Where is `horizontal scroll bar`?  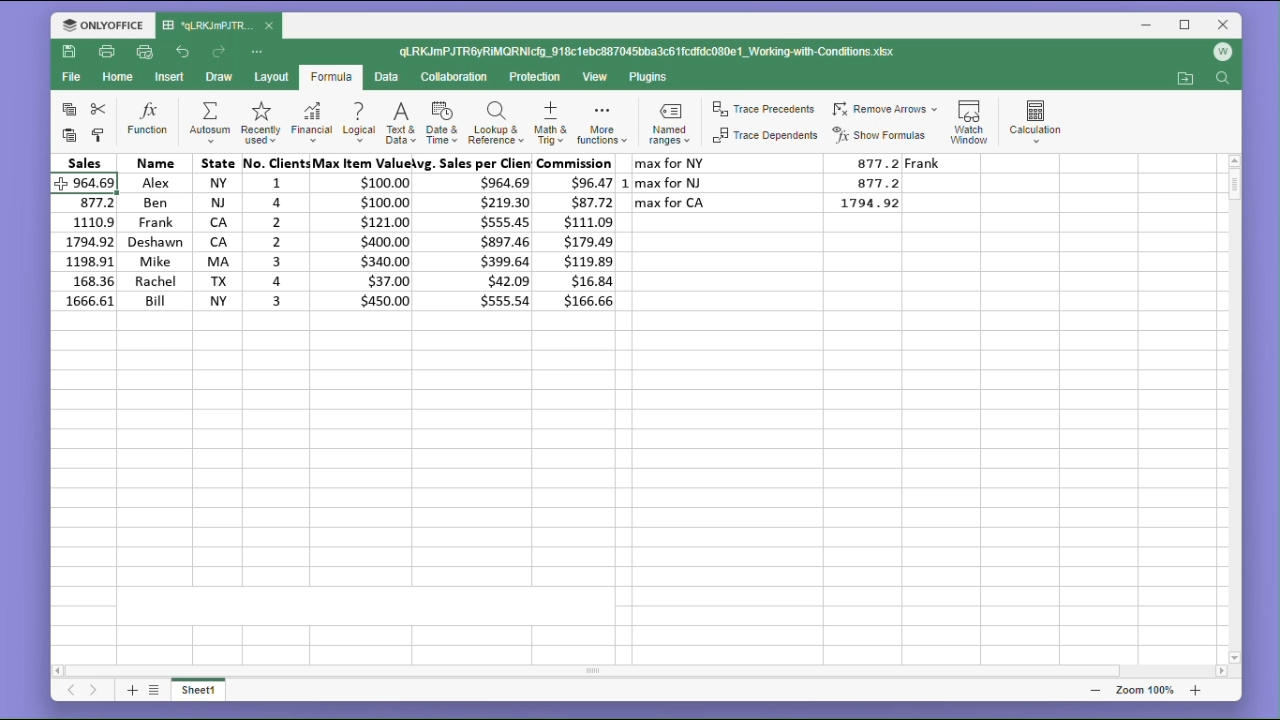 horizontal scroll bar is located at coordinates (642, 671).